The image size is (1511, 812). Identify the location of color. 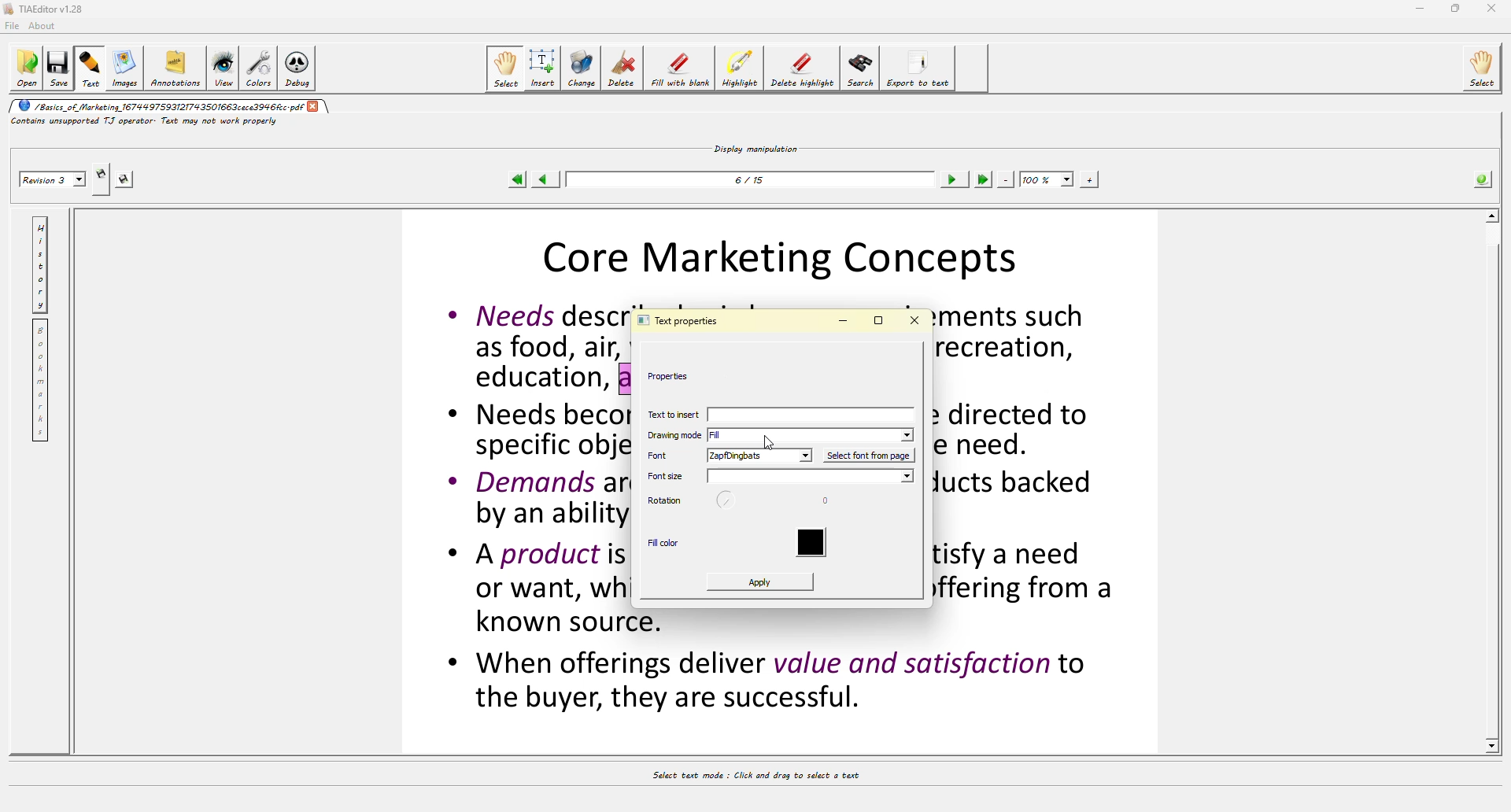
(811, 540).